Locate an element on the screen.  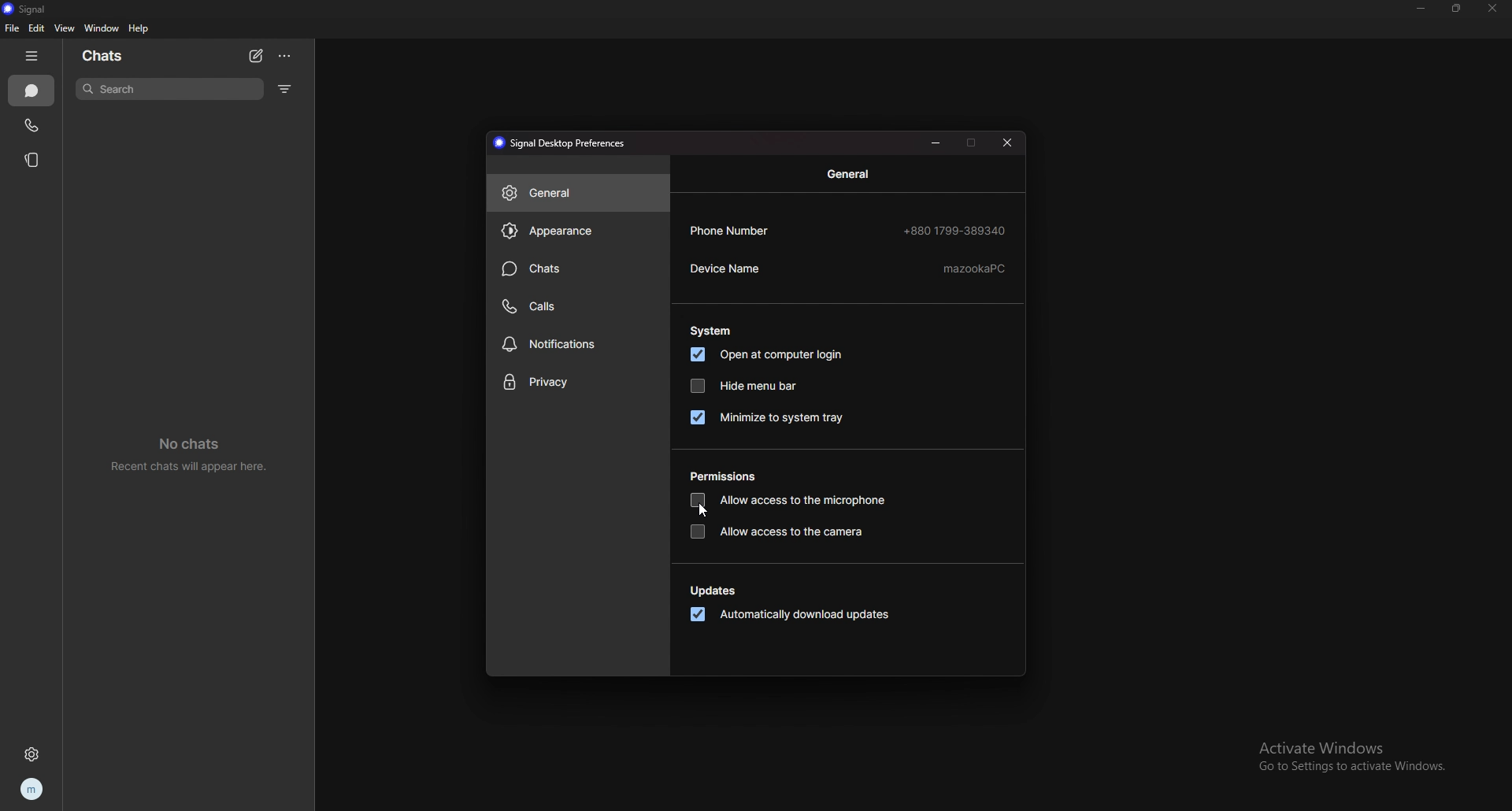
open at computer login is located at coordinates (769, 354).